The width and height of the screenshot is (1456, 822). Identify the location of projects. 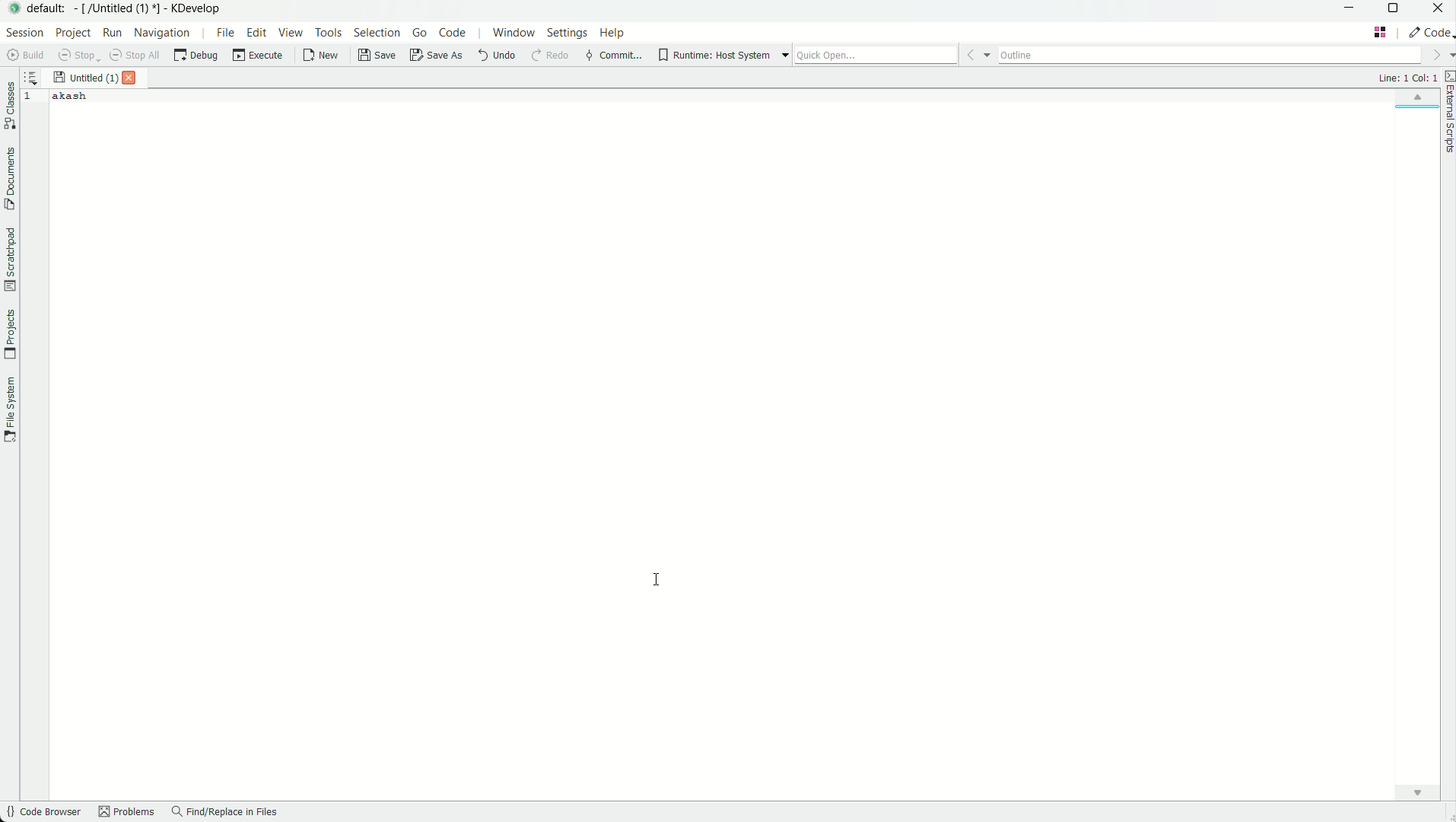
(9, 335).